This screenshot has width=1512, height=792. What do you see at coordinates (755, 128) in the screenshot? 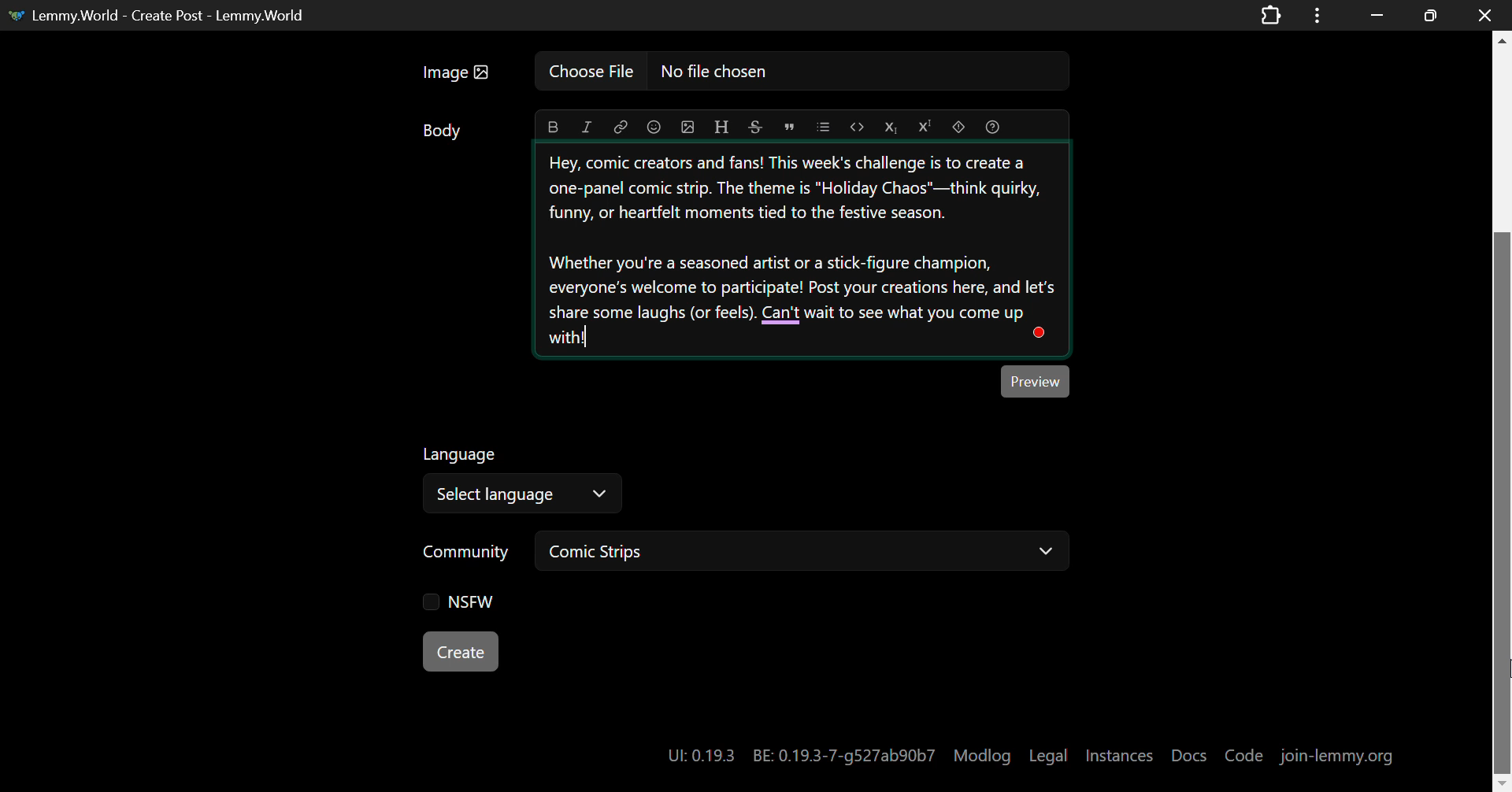
I see `strikethrough` at bounding box center [755, 128].